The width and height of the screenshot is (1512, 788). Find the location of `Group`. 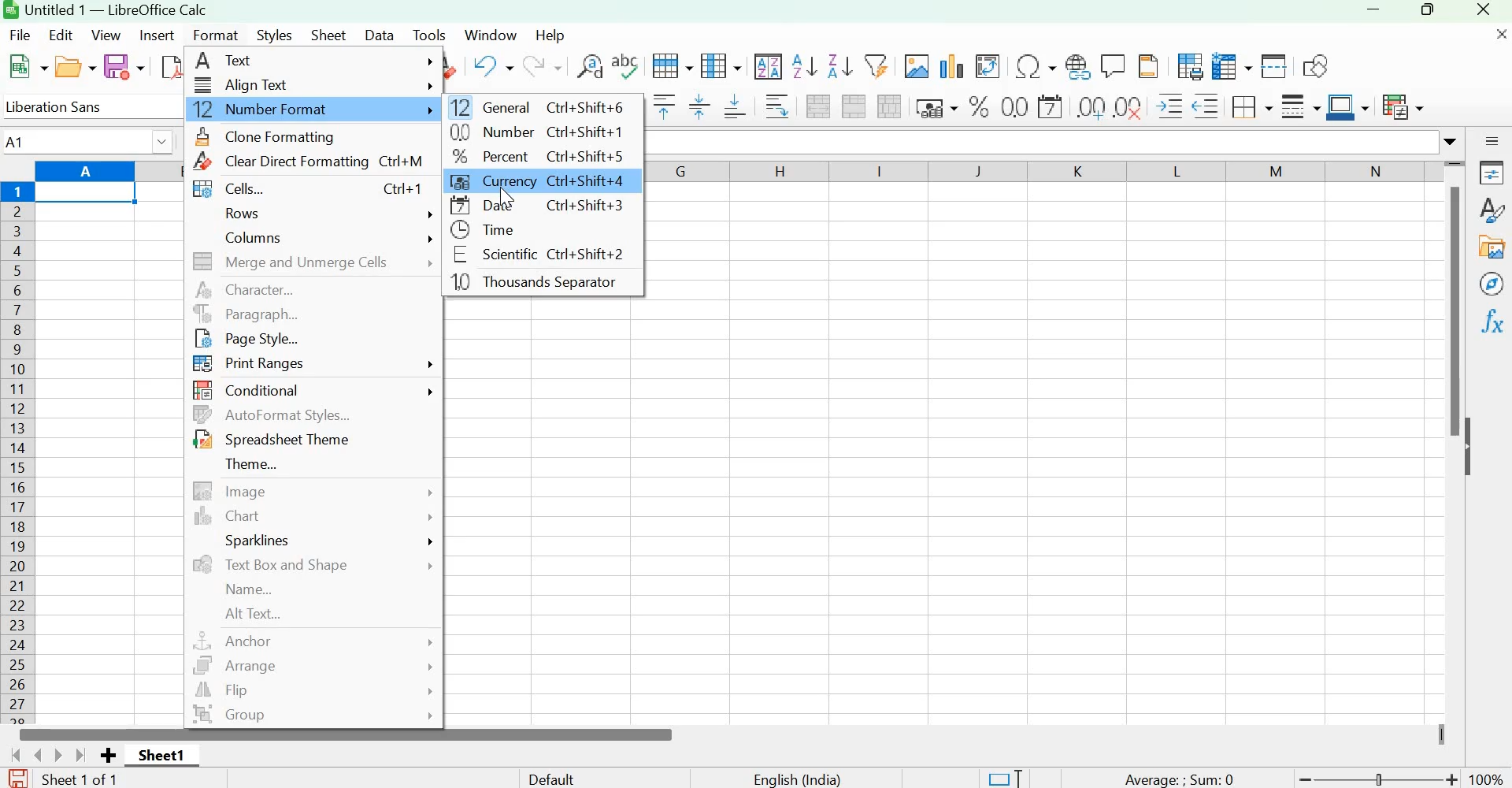

Group is located at coordinates (313, 716).